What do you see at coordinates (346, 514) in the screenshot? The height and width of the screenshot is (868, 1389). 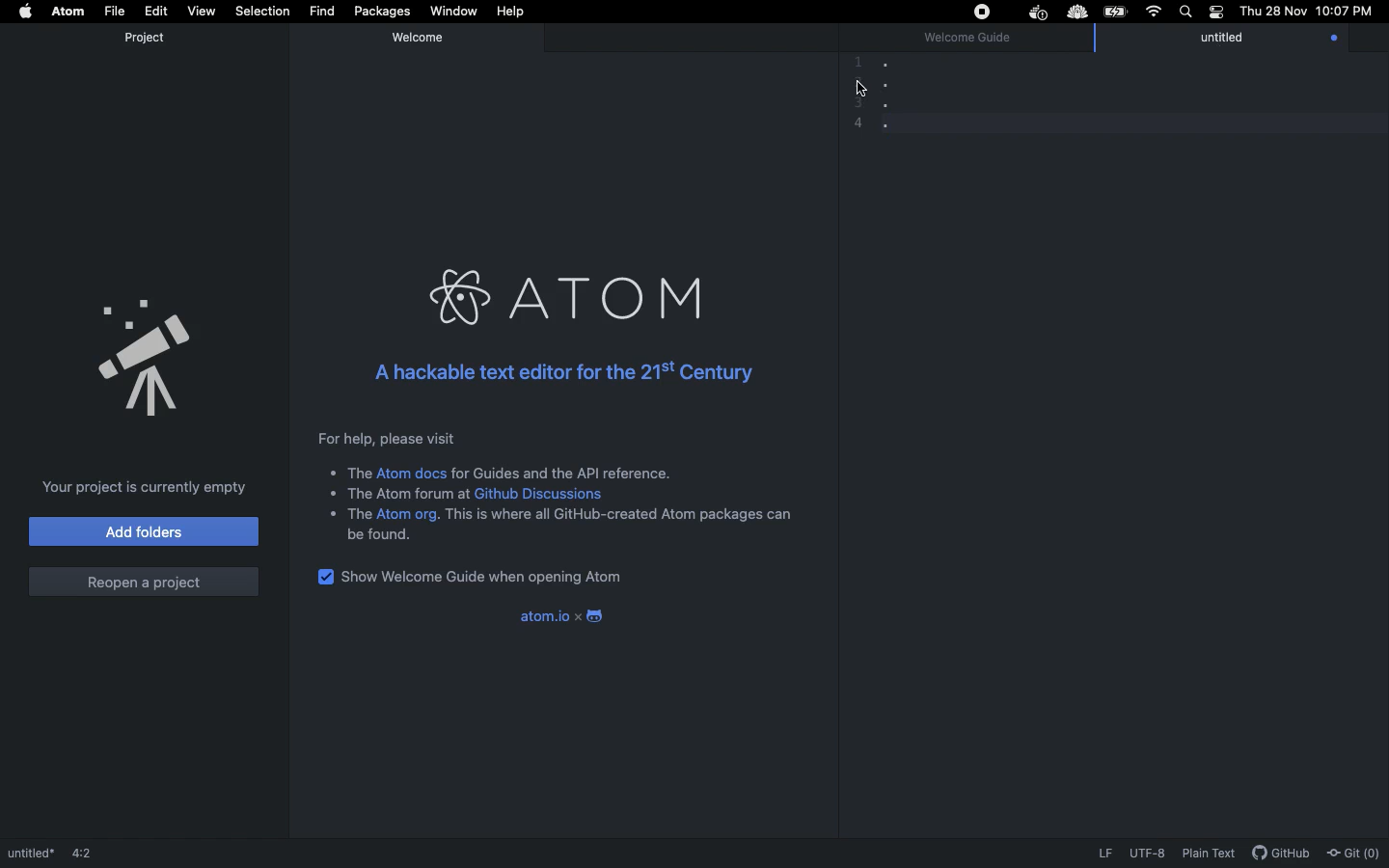 I see `Text` at bounding box center [346, 514].